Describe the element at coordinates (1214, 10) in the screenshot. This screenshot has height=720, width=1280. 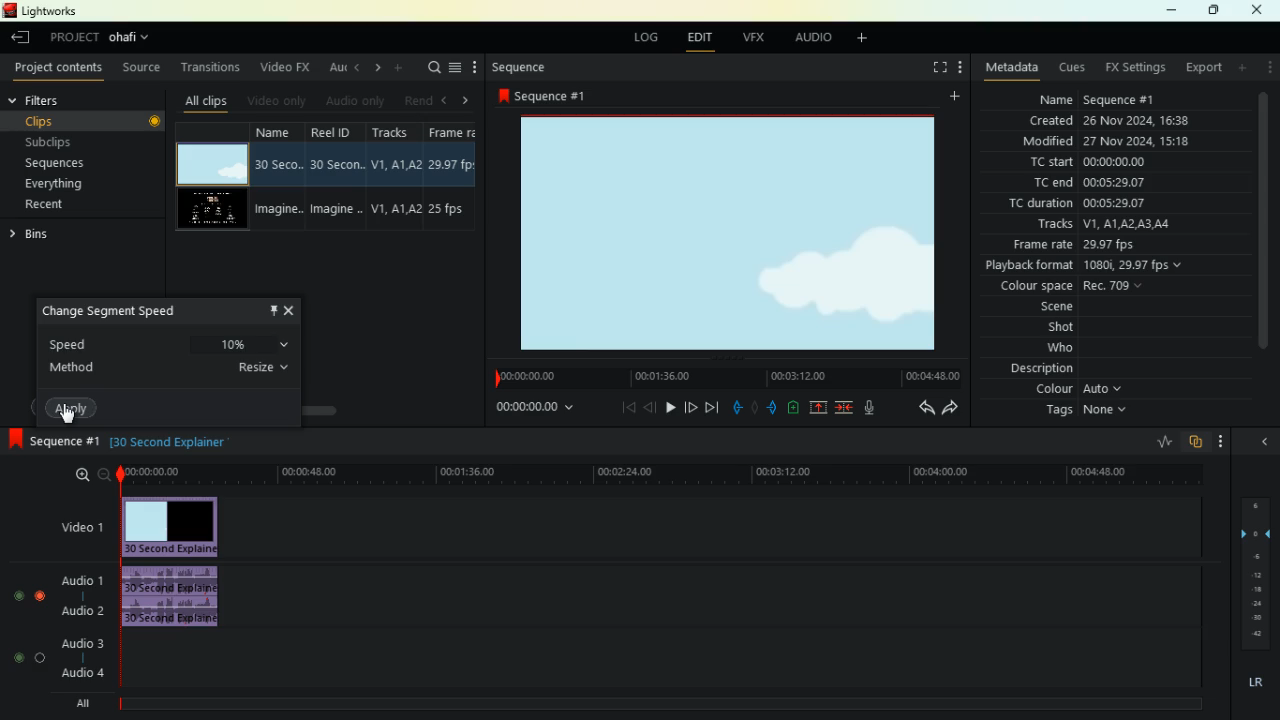
I see `maximize` at that location.